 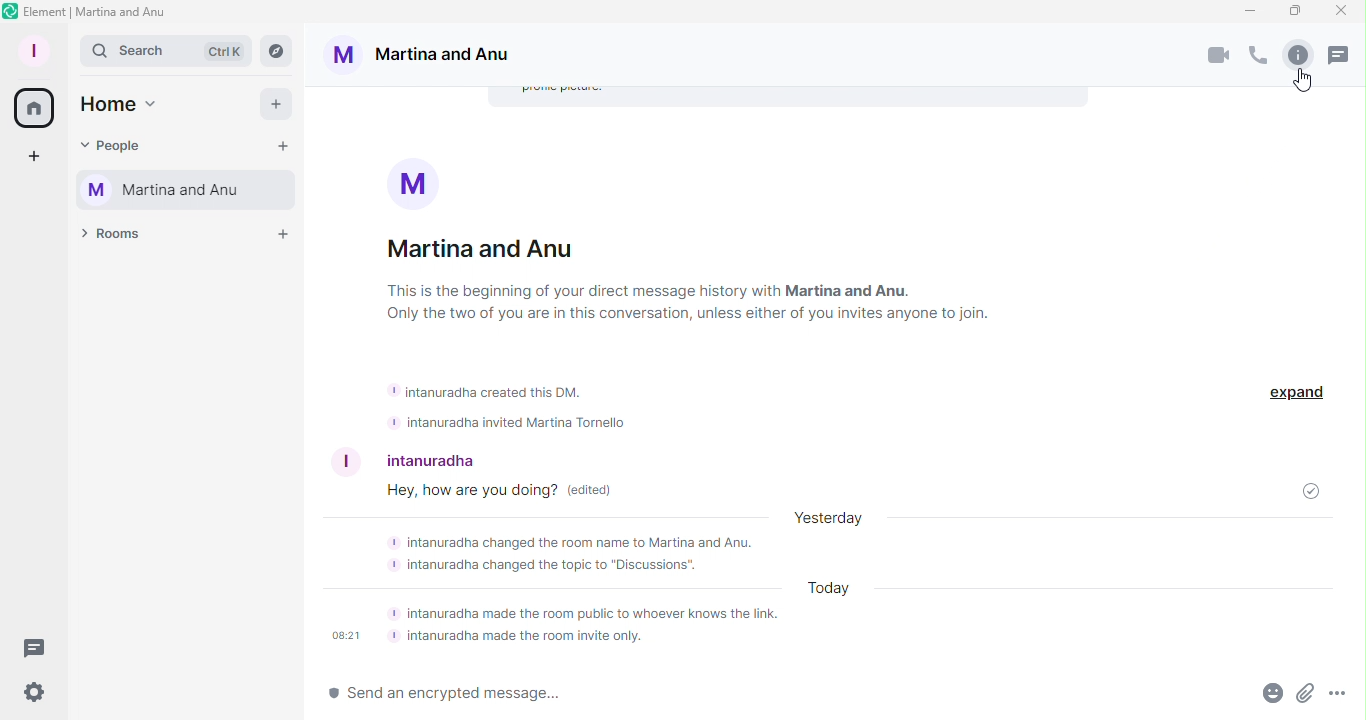 What do you see at coordinates (403, 455) in the screenshot?
I see `User` at bounding box center [403, 455].